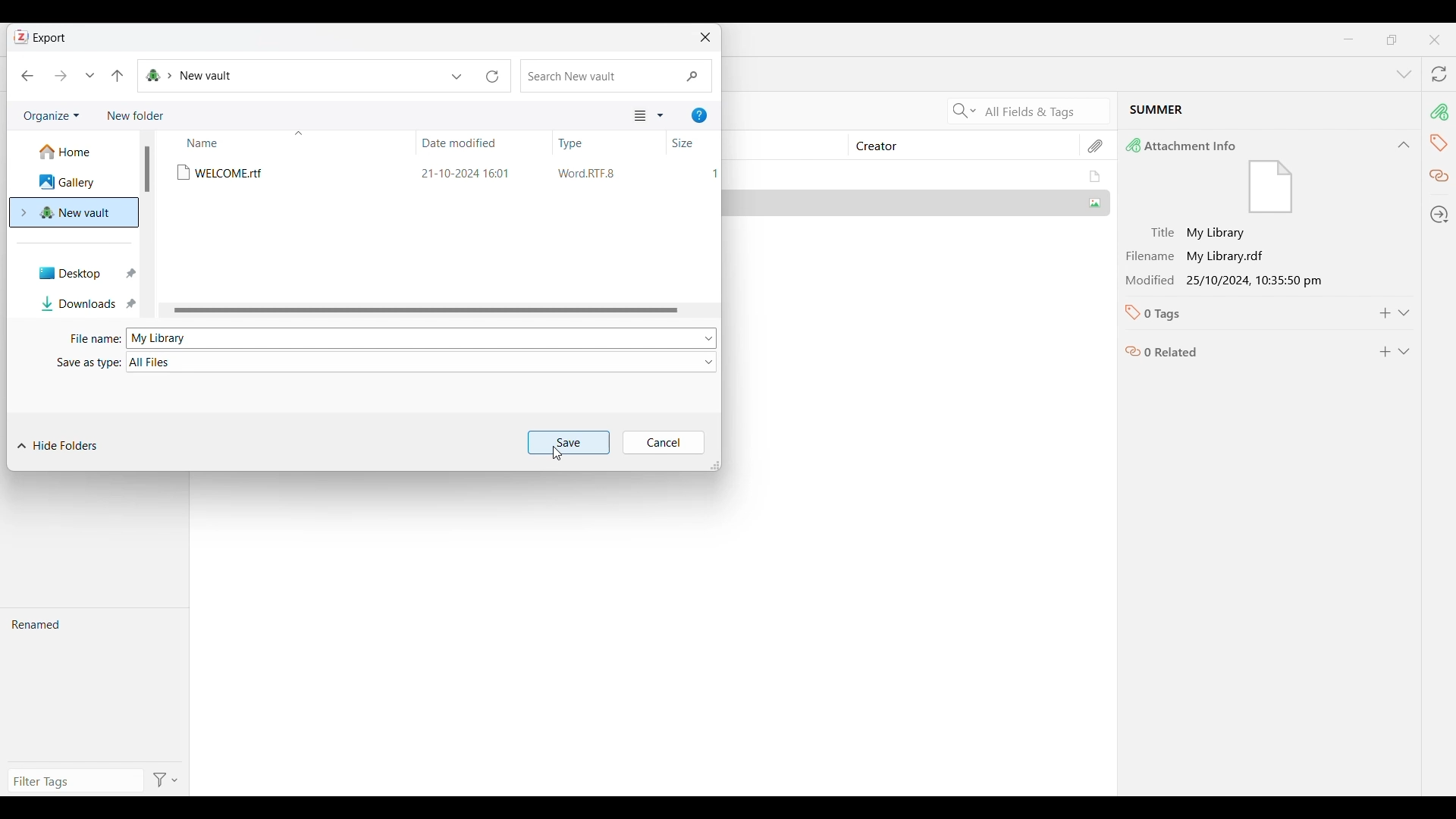 The width and height of the screenshot is (1456, 819). I want to click on Back, so click(27, 76).